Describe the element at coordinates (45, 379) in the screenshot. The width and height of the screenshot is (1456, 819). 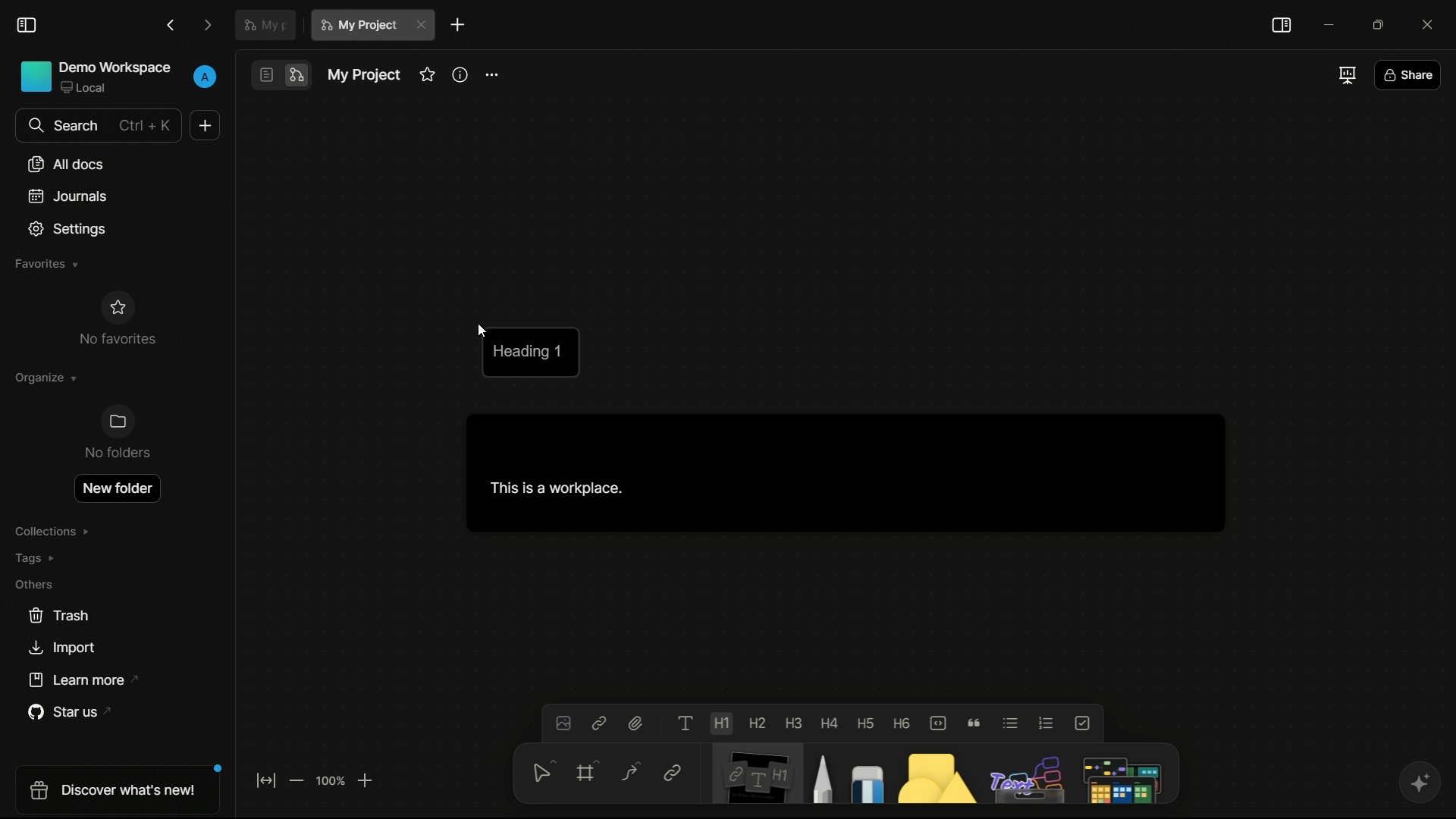
I see `organize` at that location.